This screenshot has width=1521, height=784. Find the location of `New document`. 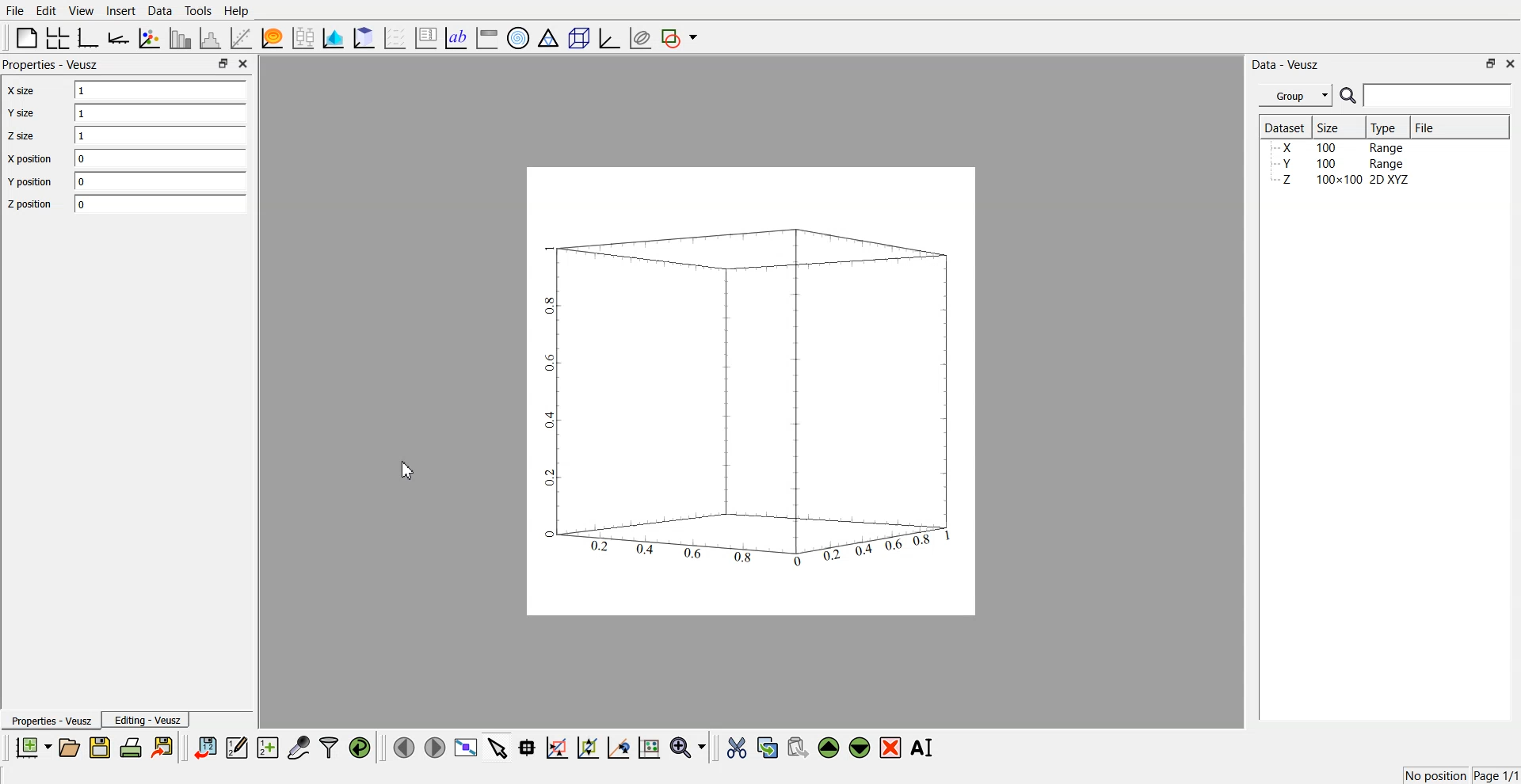

New document is located at coordinates (32, 747).